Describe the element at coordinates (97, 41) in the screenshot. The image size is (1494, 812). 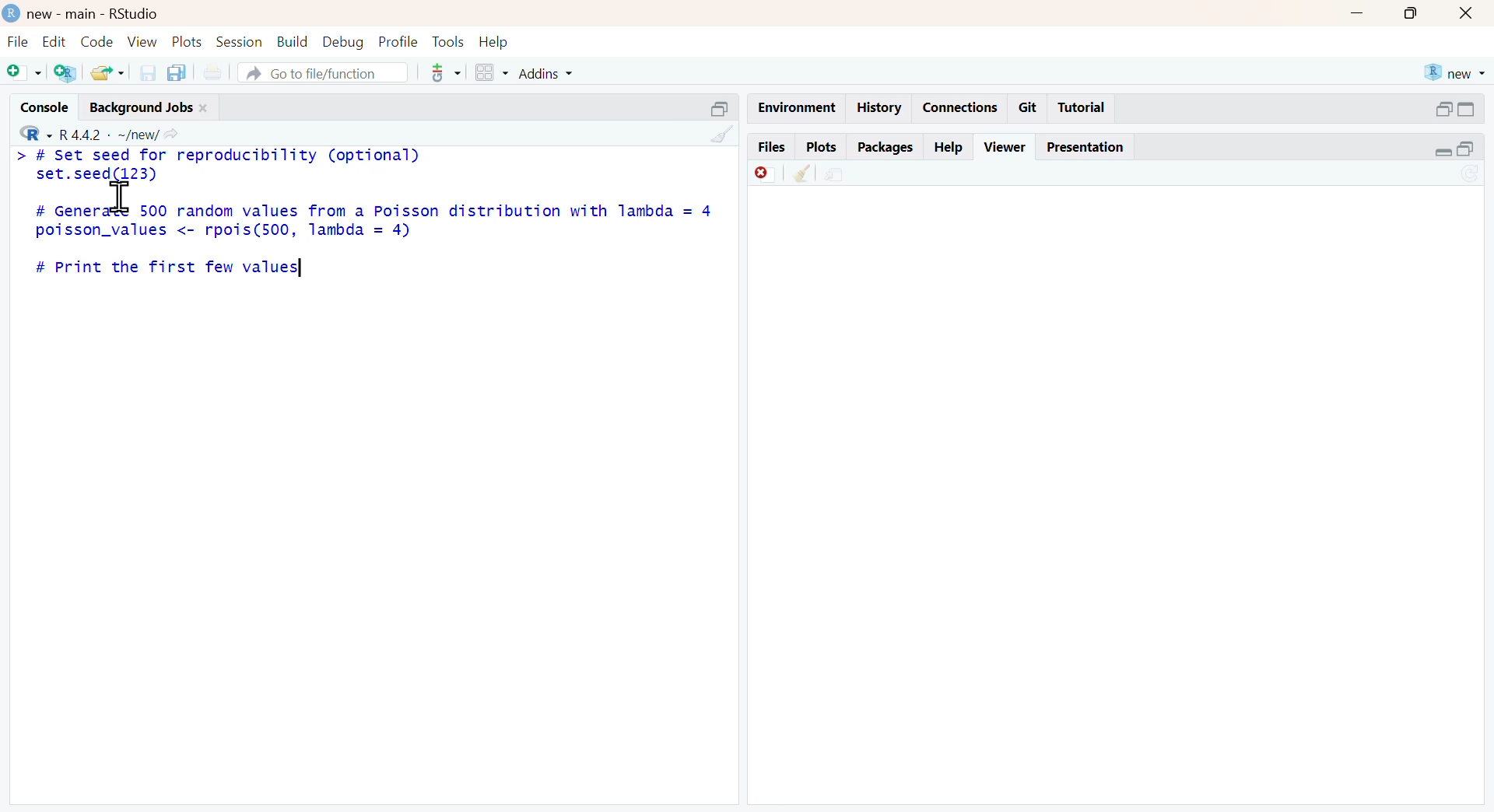
I see `code` at that location.